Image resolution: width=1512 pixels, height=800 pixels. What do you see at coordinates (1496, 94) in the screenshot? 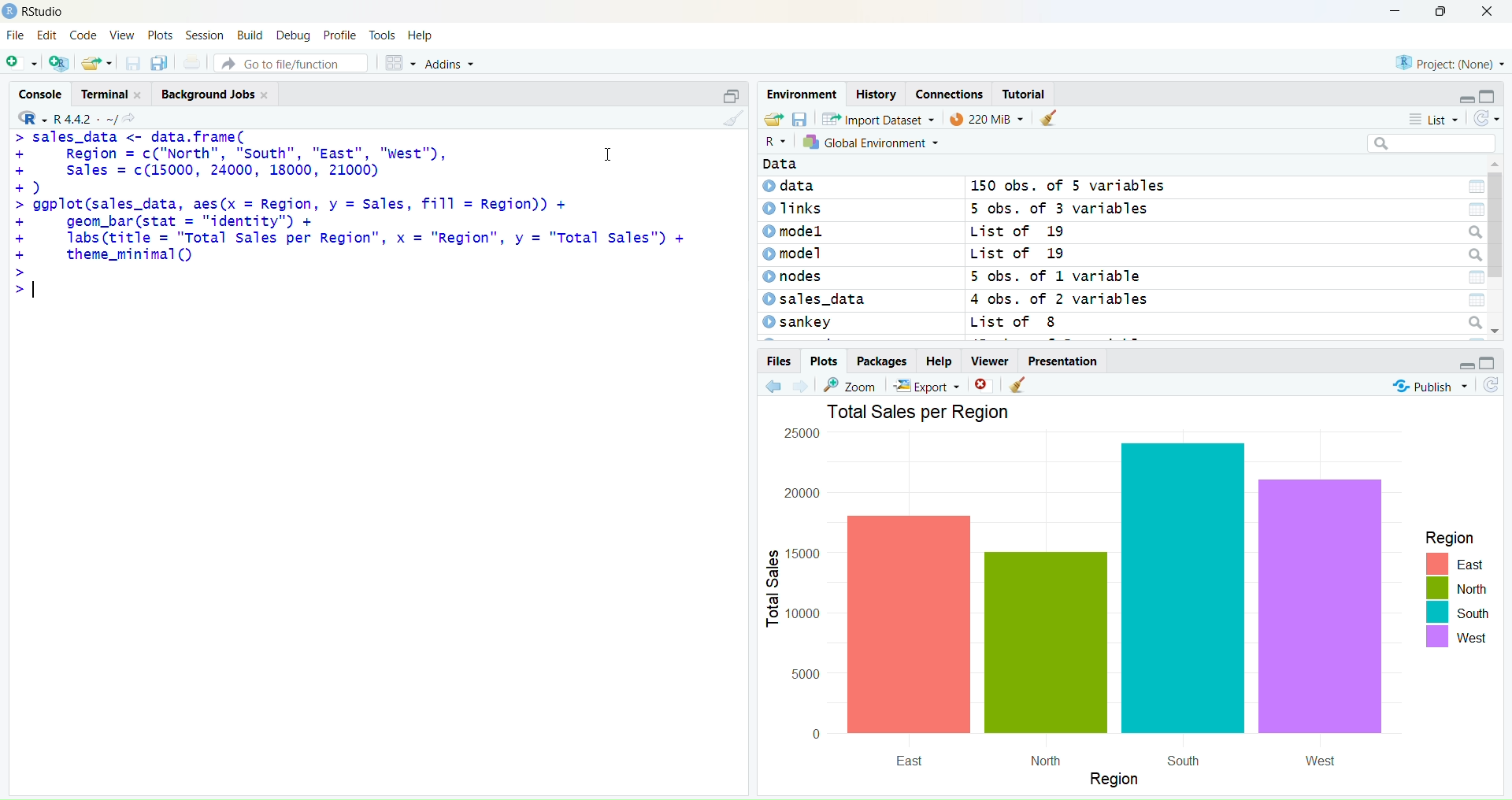
I see `maximise` at bounding box center [1496, 94].